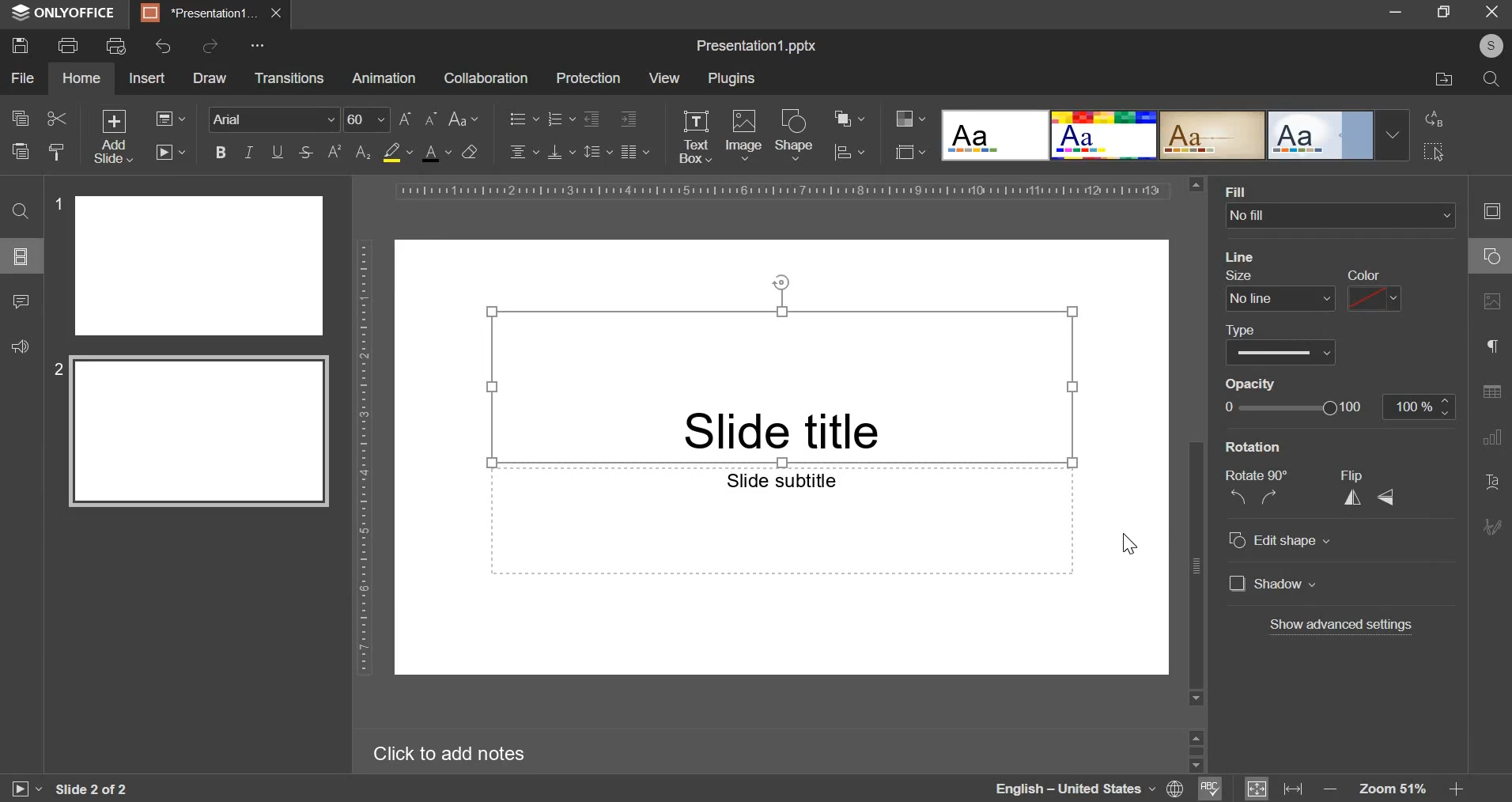 The image size is (1512, 802). Describe the element at coordinates (1275, 496) in the screenshot. I see `right` at that location.